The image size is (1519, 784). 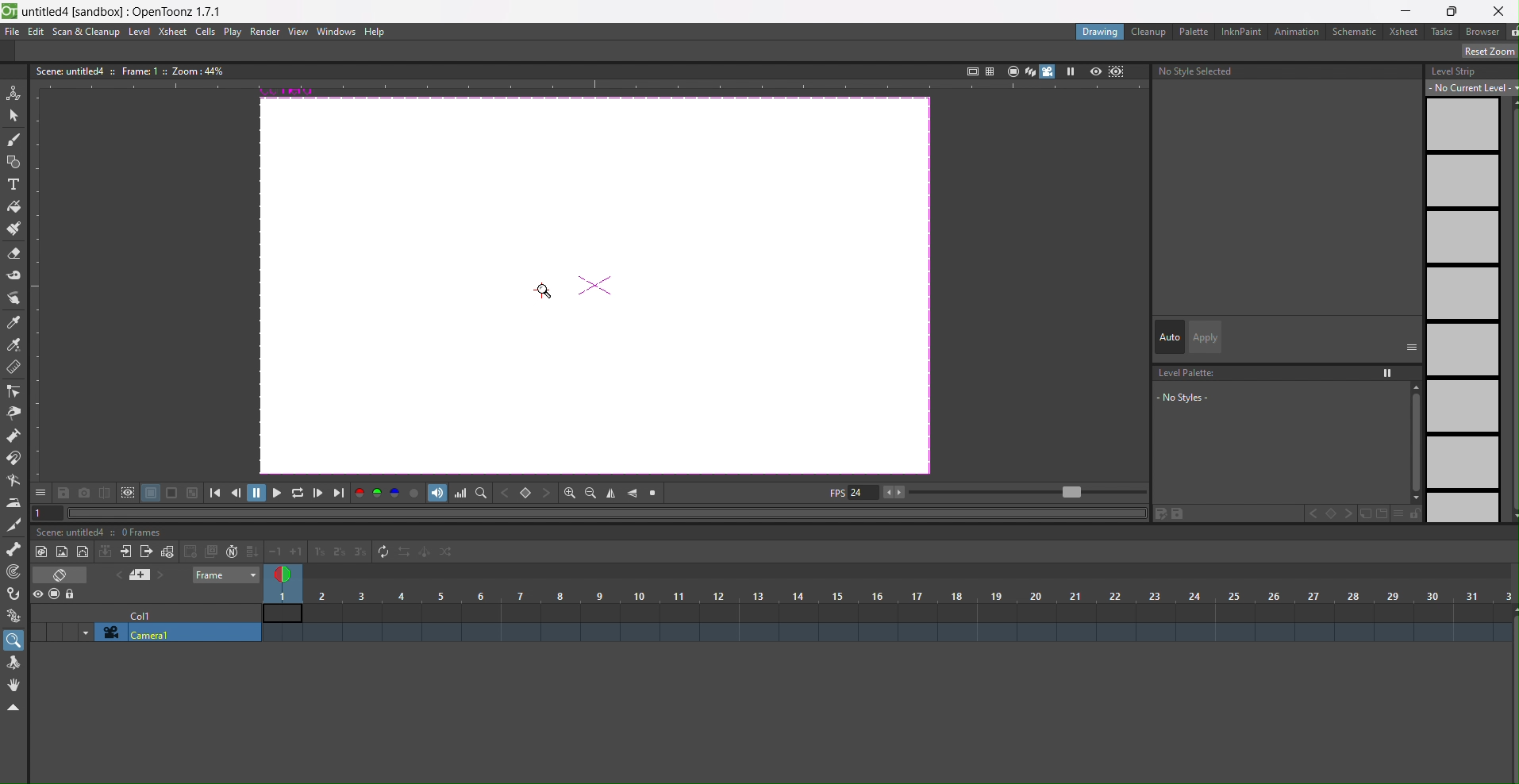 I want to click on auto, so click(x=1169, y=336).